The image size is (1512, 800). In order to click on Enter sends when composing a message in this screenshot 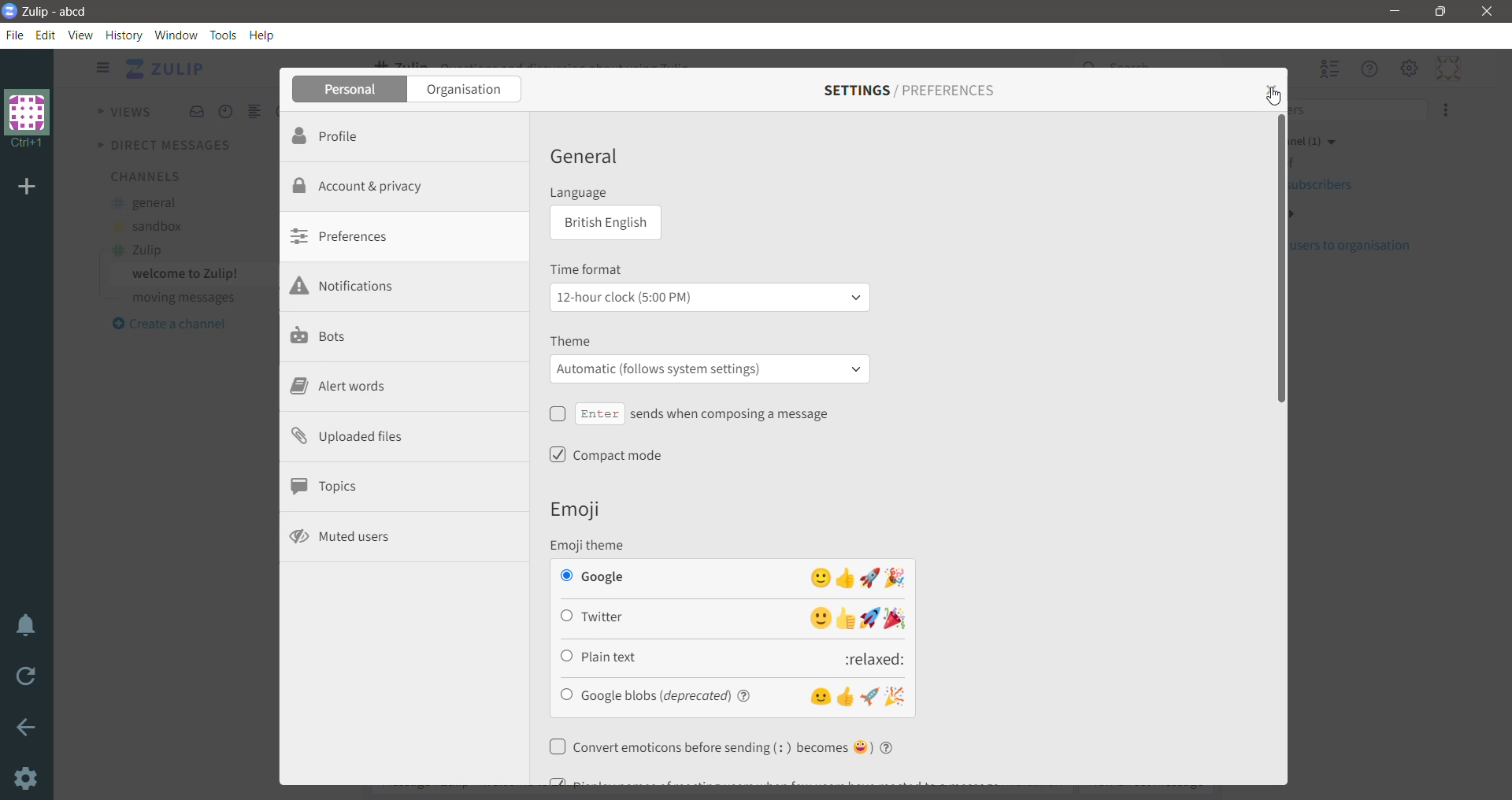, I will do `click(710, 412)`.